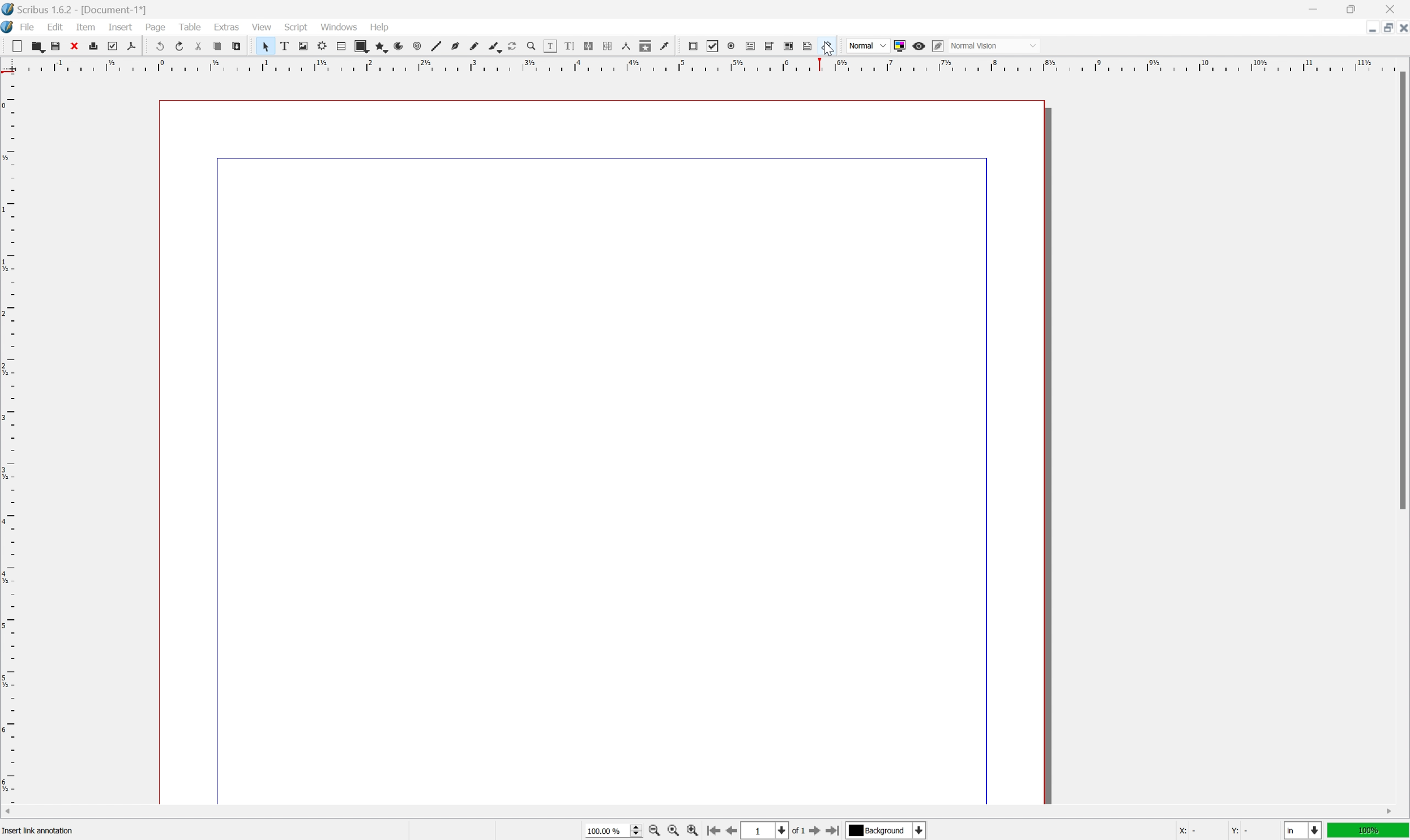 The image size is (1410, 840). Describe the element at coordinates (9, 438) in the screenshot. I see `ruler` at that location.